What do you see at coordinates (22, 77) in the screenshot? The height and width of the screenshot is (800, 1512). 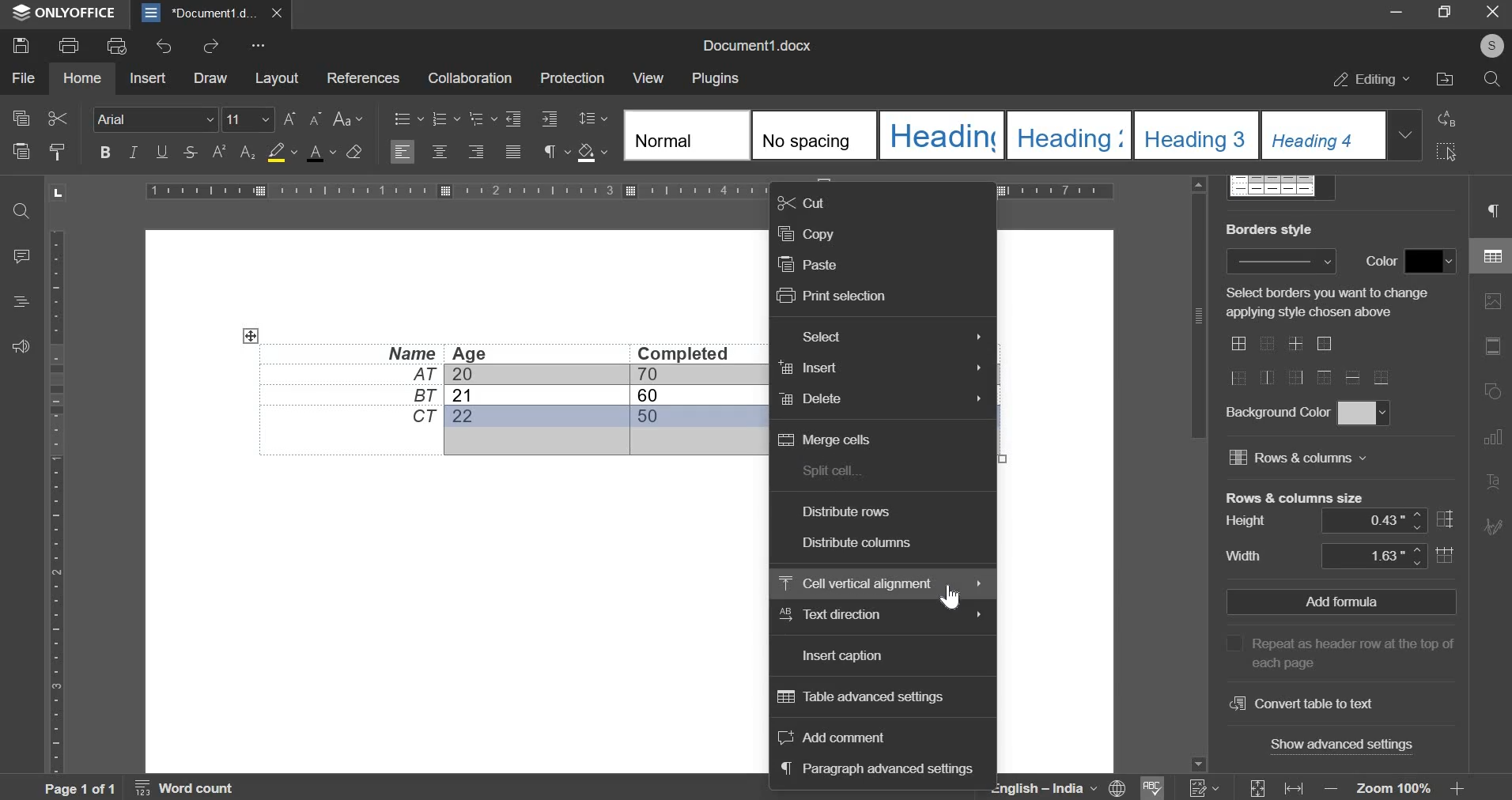 I see `file` at bounding box center [22, 77].